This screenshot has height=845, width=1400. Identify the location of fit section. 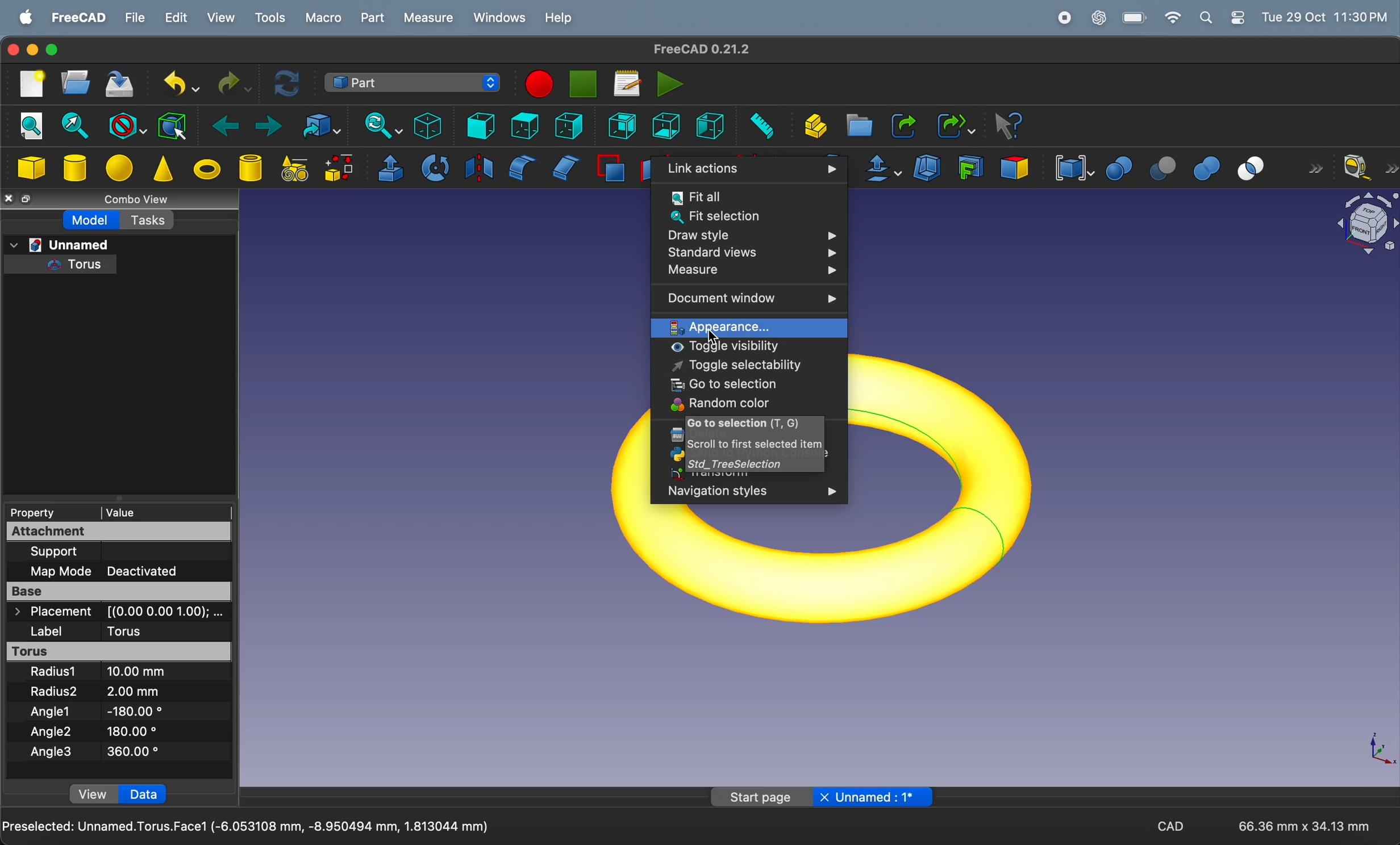
(71, 127).